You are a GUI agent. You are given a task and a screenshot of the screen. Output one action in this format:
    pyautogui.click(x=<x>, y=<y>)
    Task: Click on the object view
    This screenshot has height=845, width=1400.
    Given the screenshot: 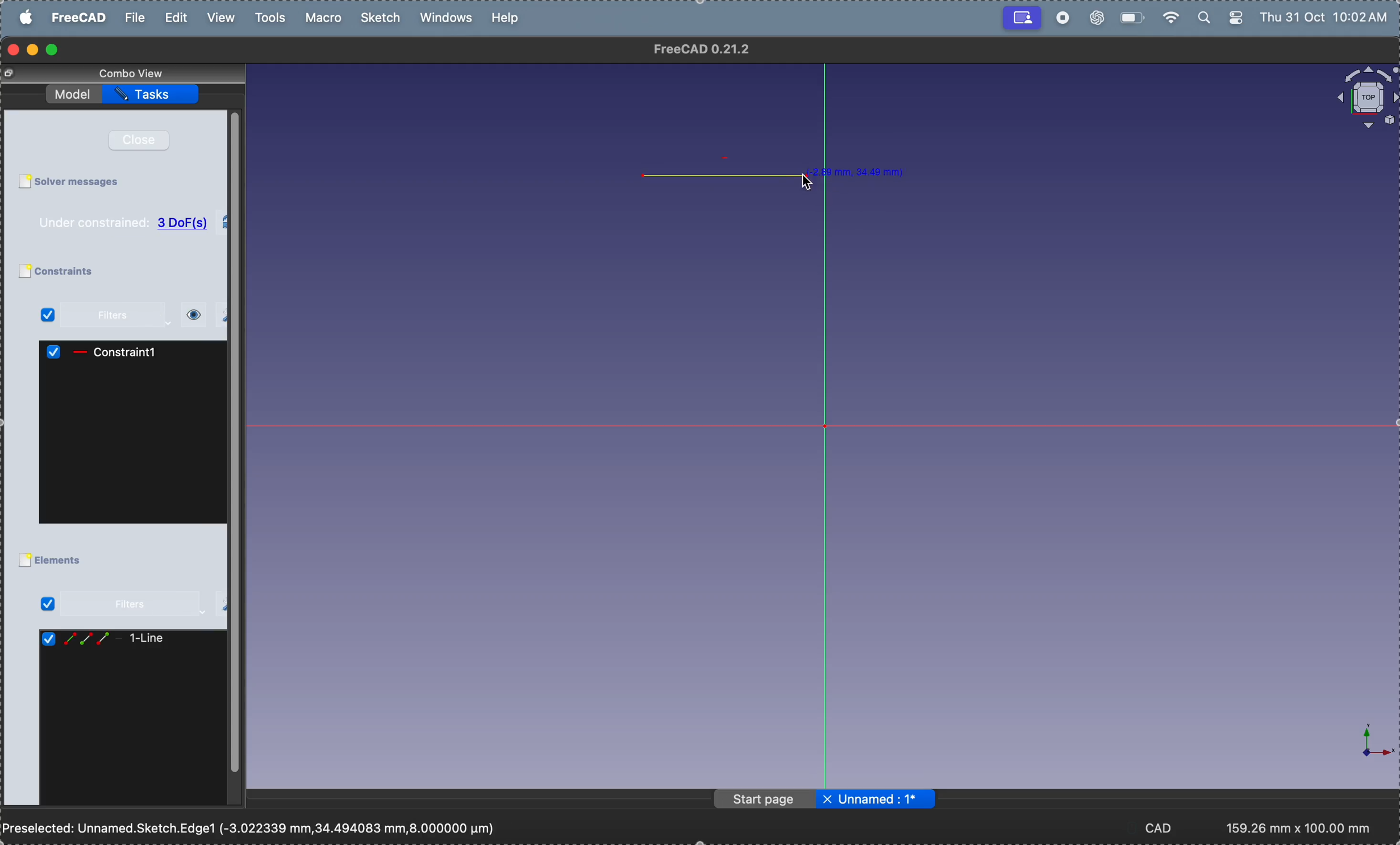 What is the action you would take?
    pyautogui.click(x=1365, y=98)
    